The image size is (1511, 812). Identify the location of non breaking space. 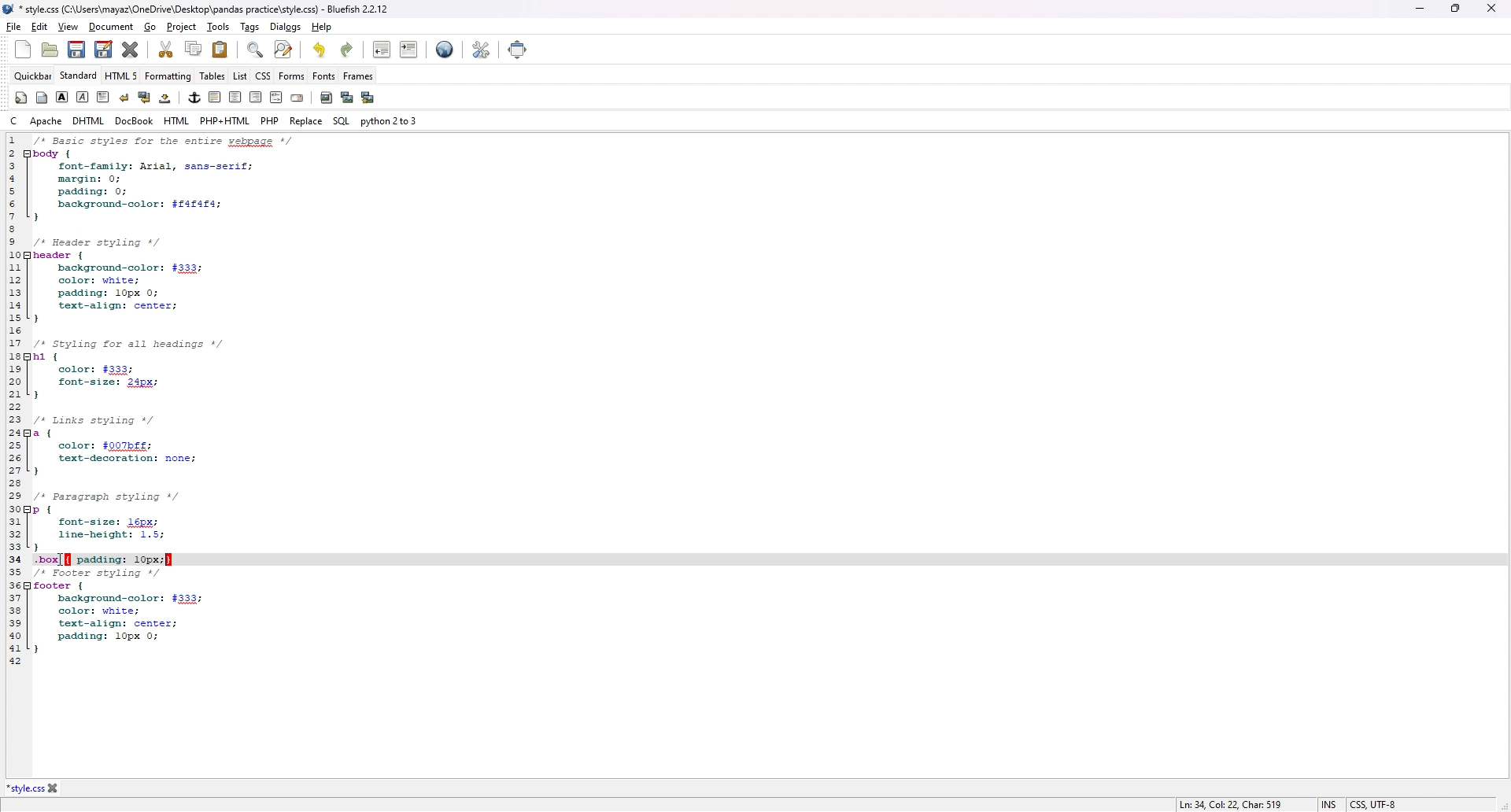
(166, 98).